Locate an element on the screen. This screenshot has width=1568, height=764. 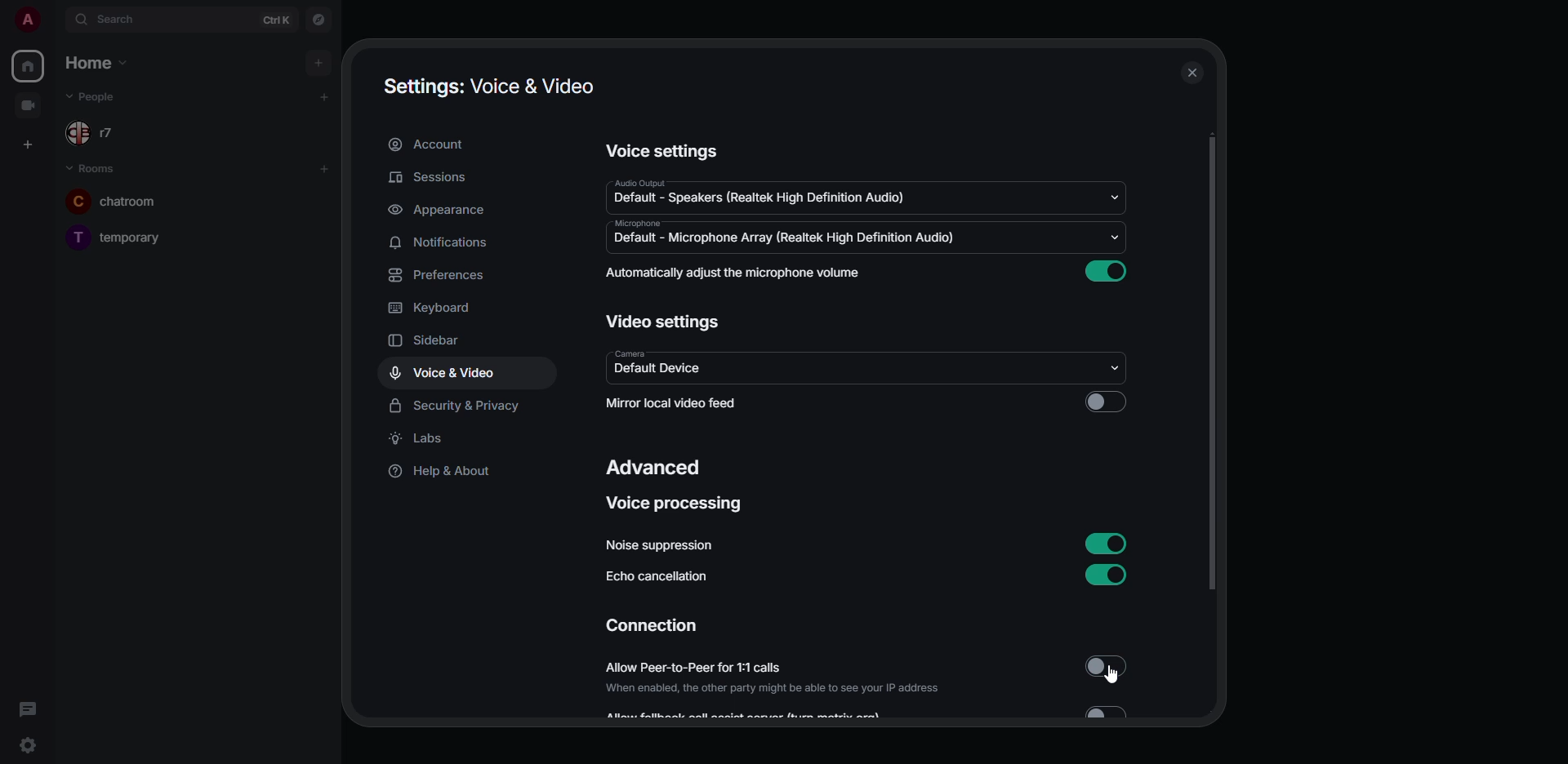
enabled is located at coordinates (1105, 542).